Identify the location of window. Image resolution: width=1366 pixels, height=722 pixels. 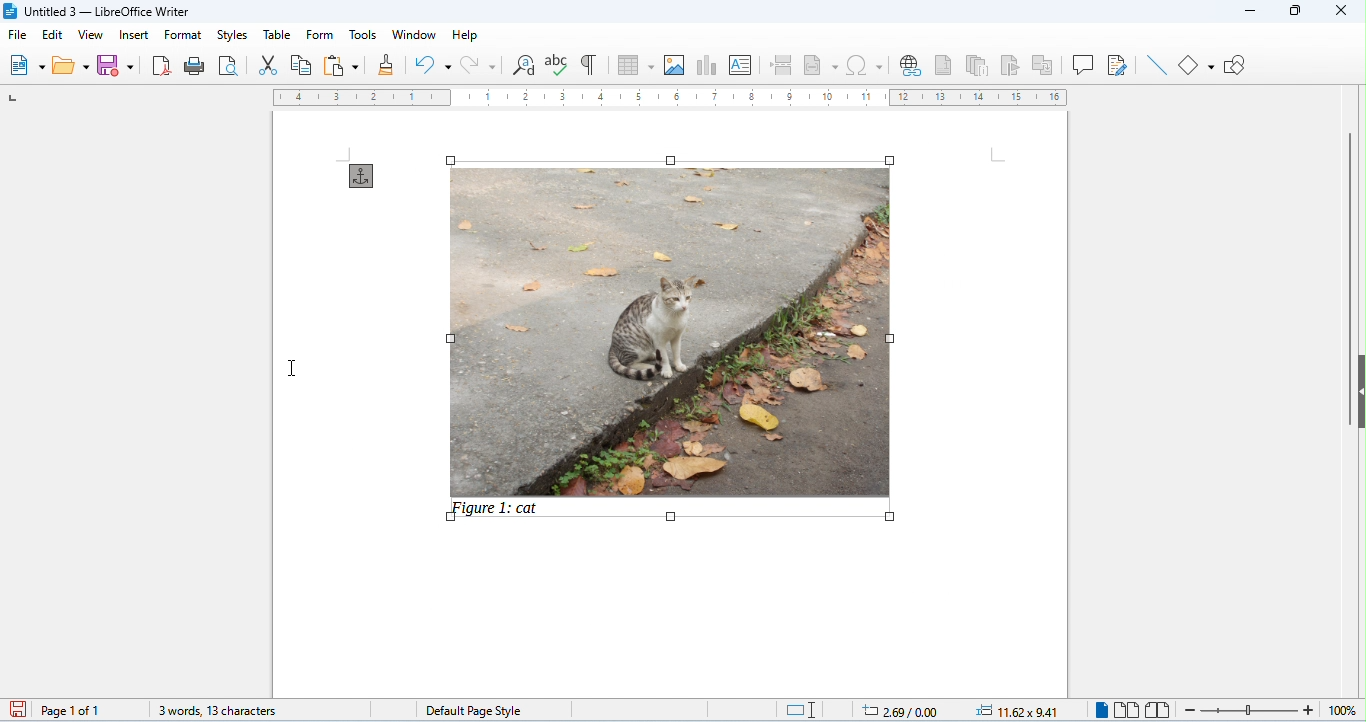
(414, 35).